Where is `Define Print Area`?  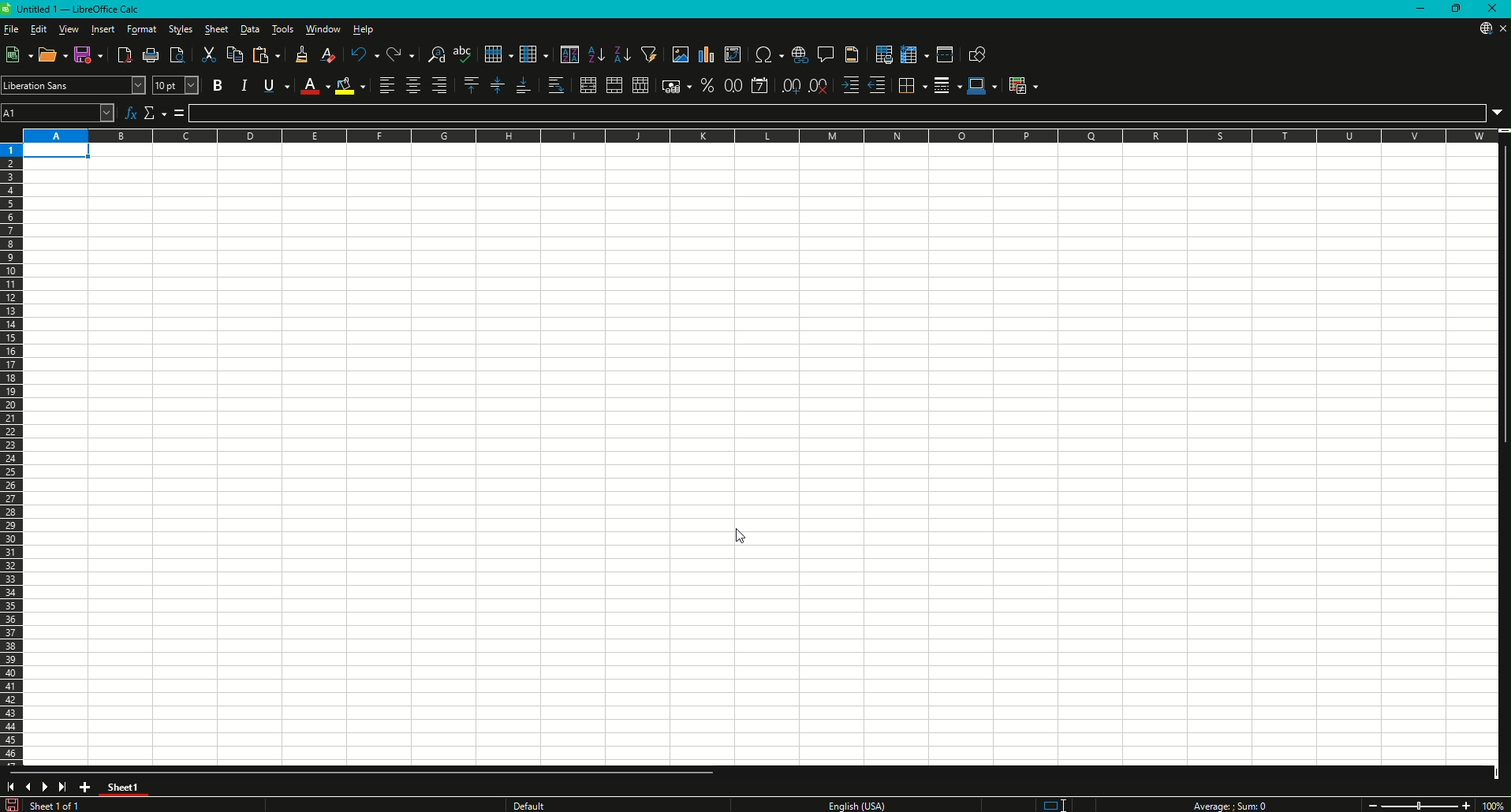
Define Print Area is located at coordinates (884, 54).